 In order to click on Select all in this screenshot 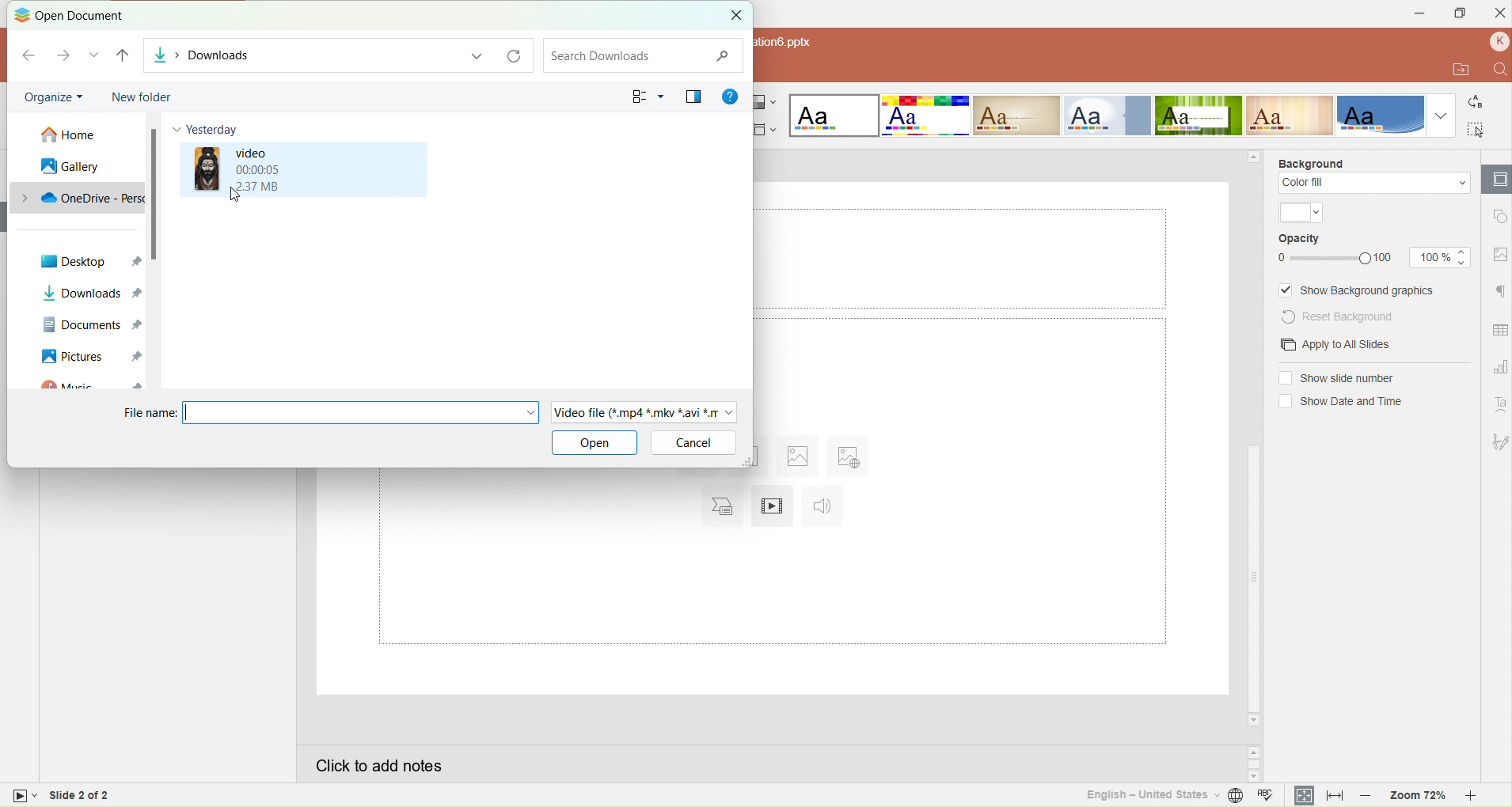, I will do `click(1477, 127)`.